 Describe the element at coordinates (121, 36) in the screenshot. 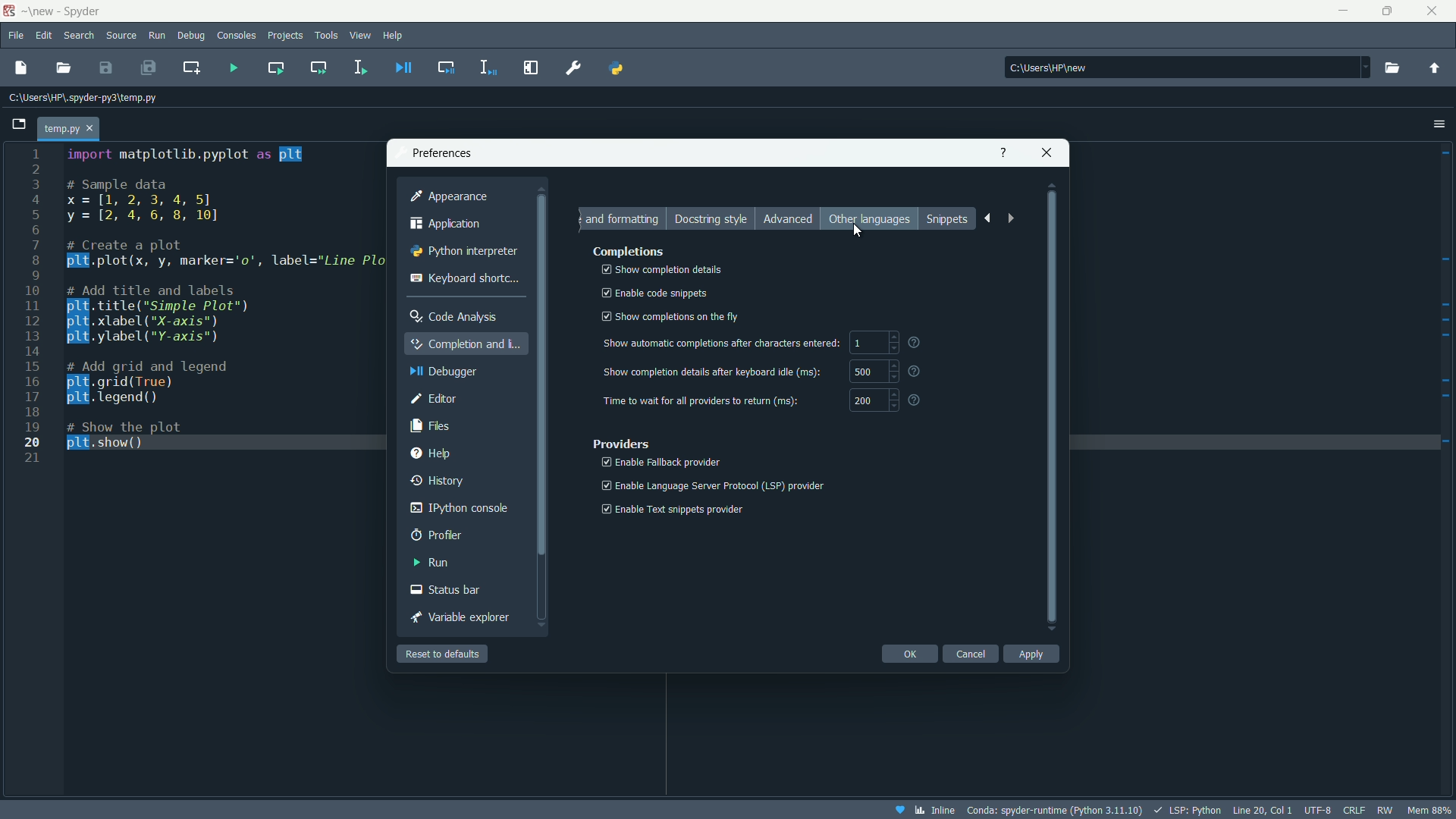

I see `source` at that location.